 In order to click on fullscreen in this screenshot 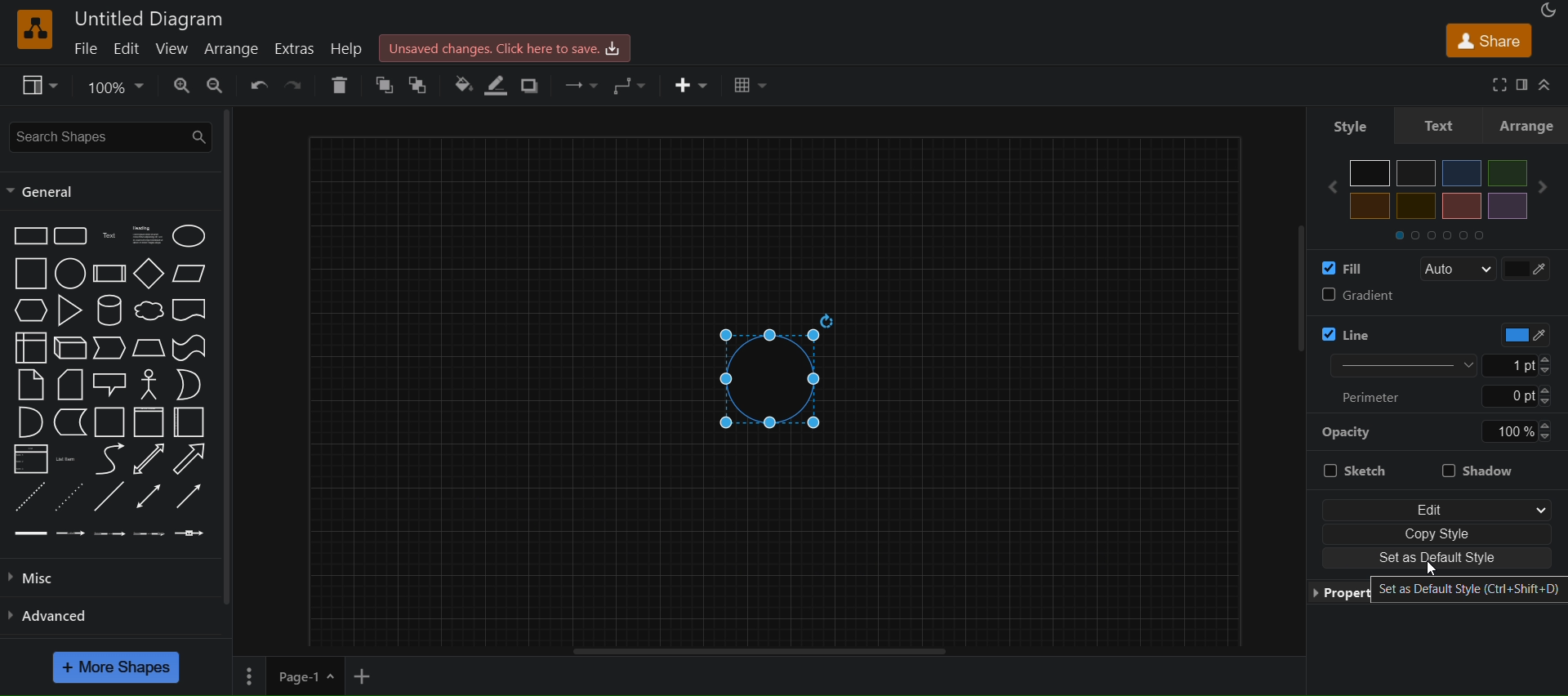, I will do `click(1494, 84)`.